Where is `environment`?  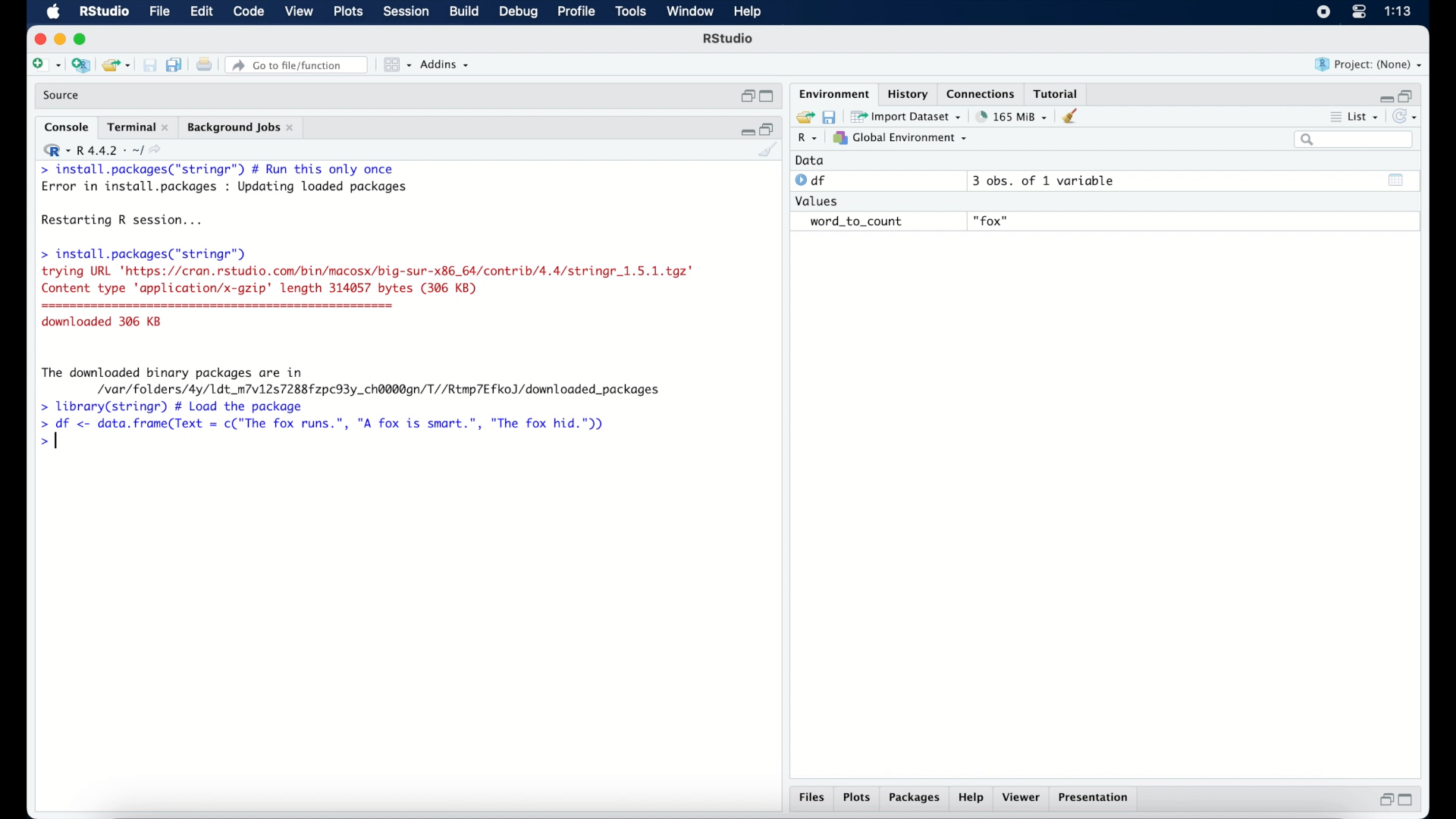
environment is located at coordinates (833, 93).